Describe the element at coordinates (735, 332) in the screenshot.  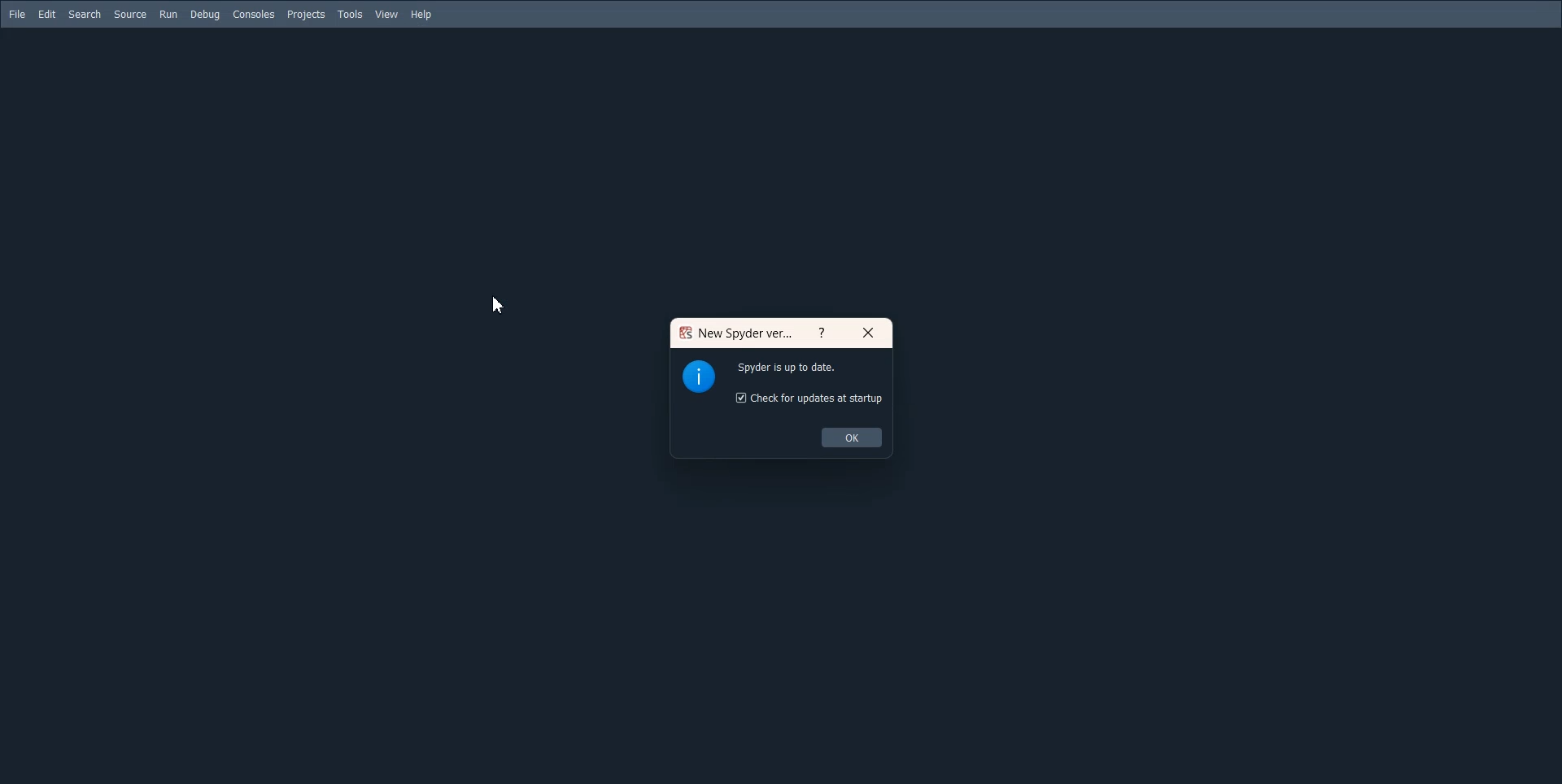
I see `New Spyder ver...` at that location.